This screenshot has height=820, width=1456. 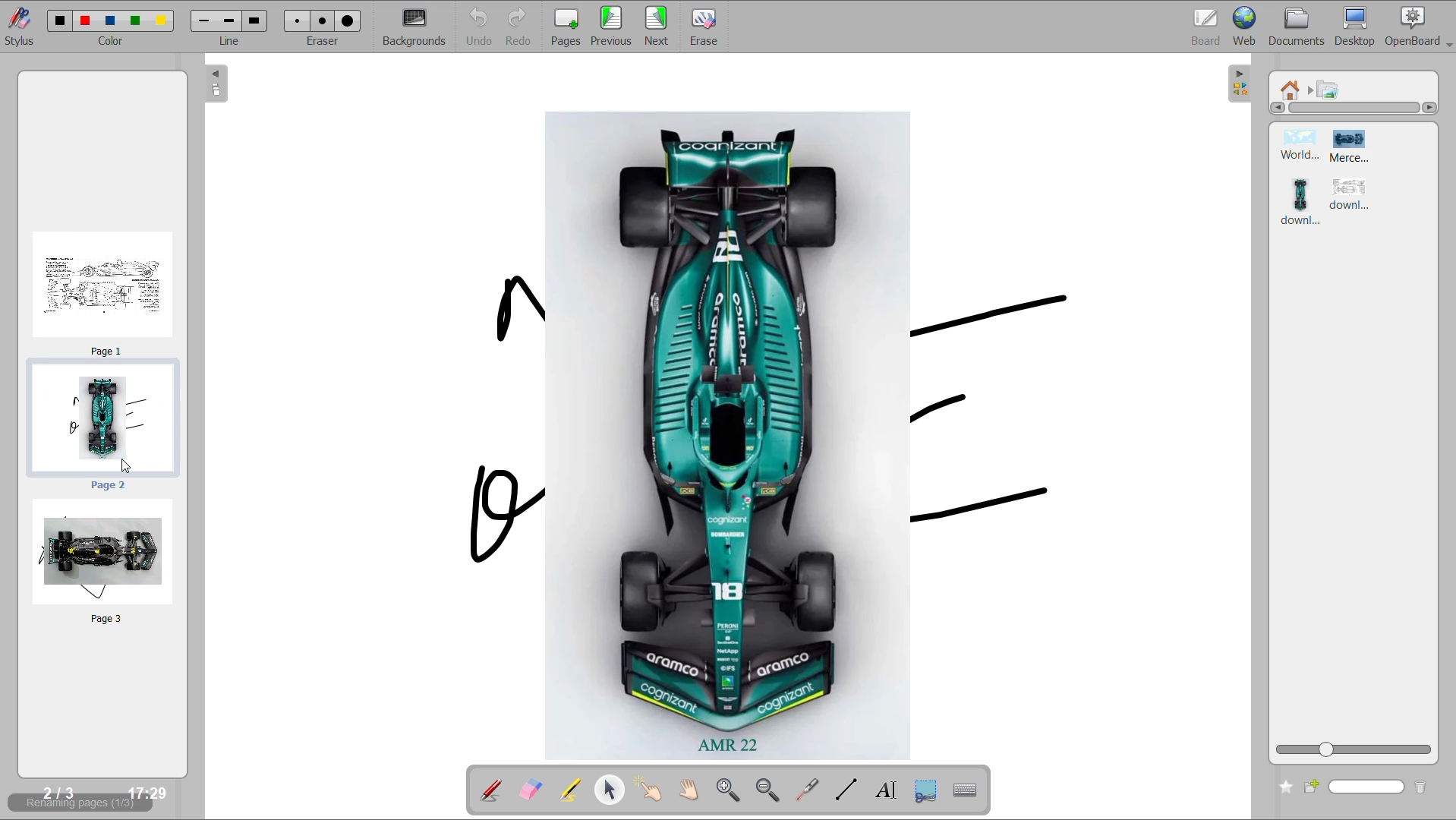 I want to click on interact with items, so click(x=651, y=790).